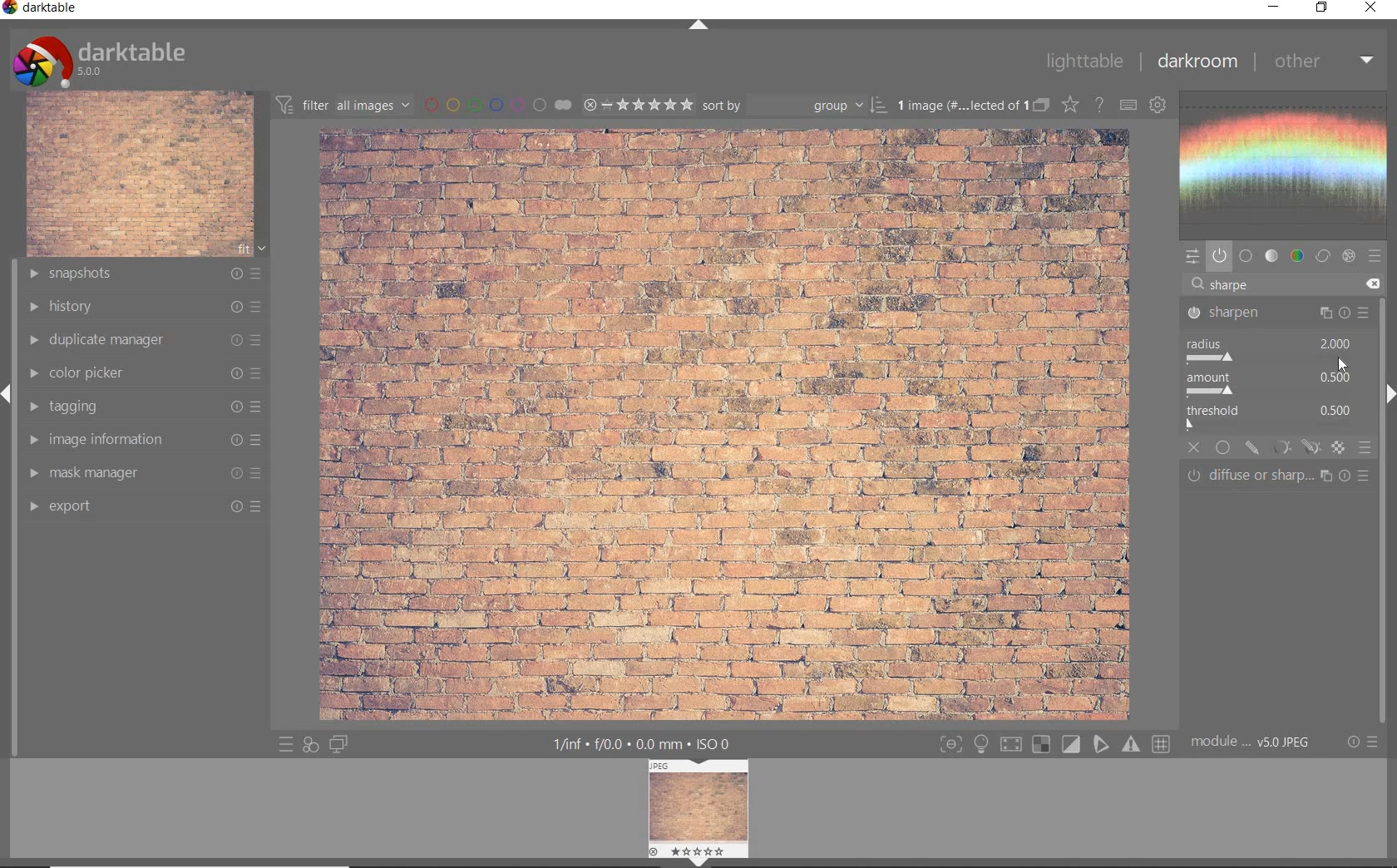  I want to click on module ...v5.0 JPEG, so click(1251, 744).